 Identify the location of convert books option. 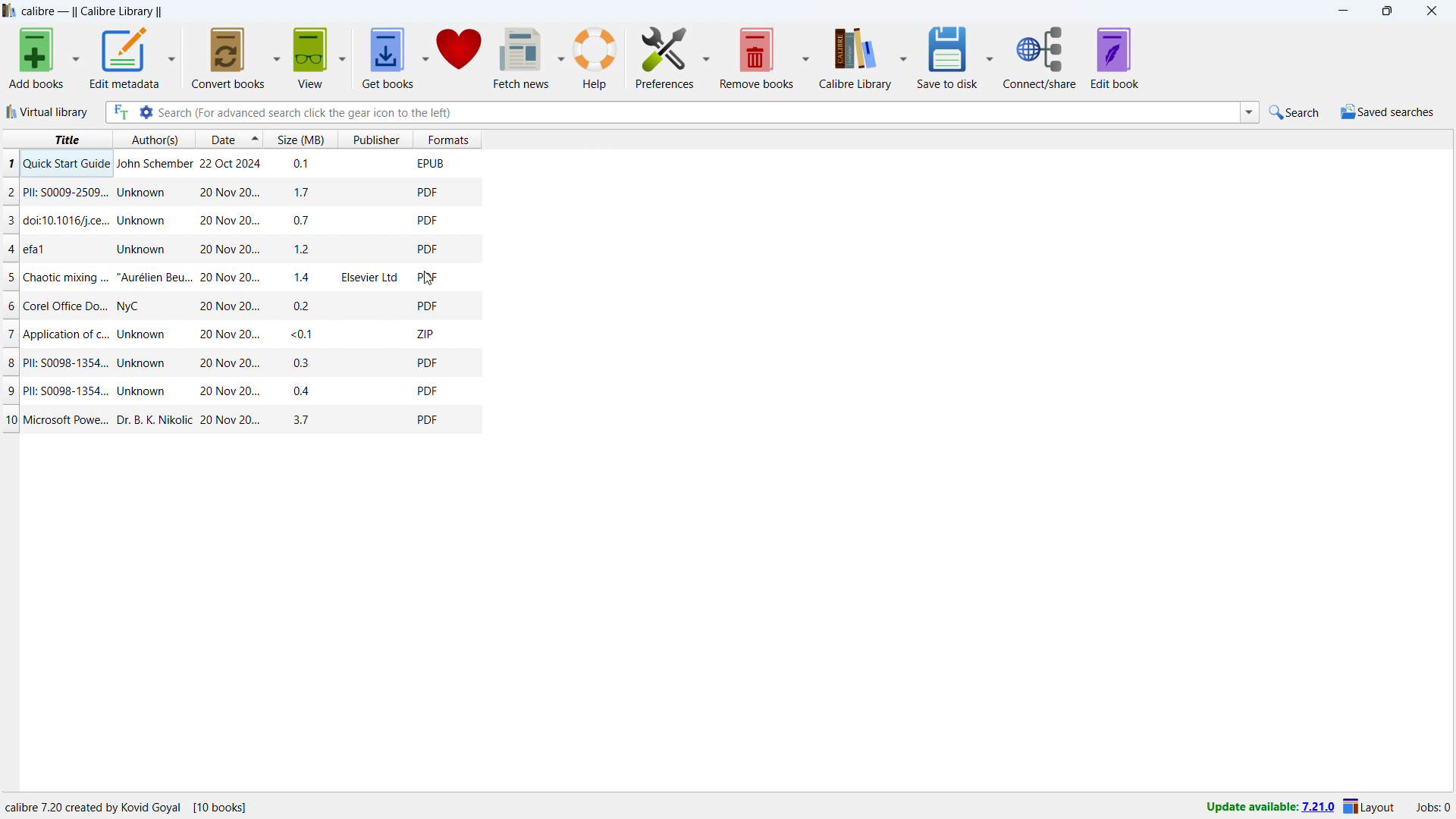
(278, 56).